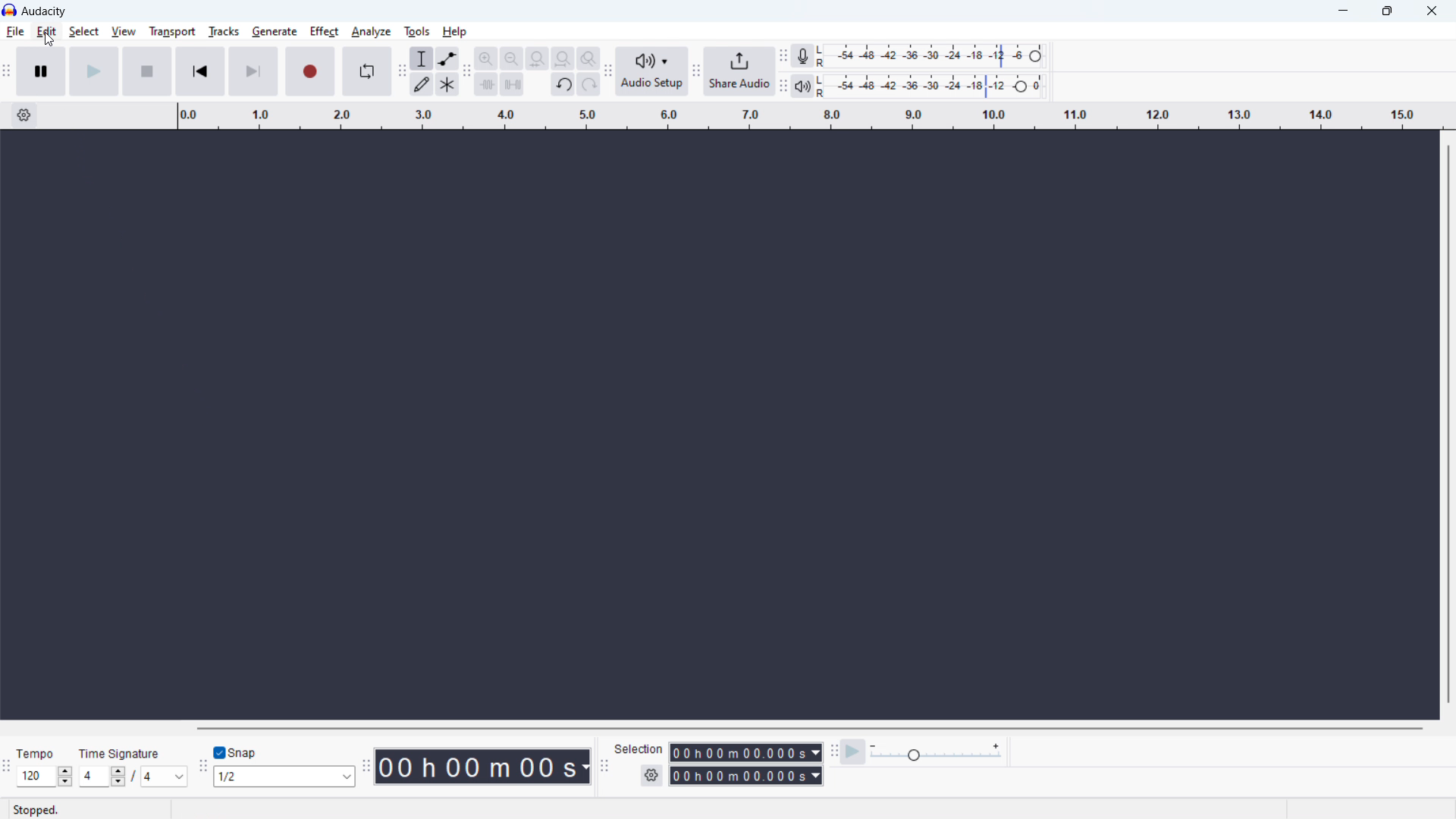  Describe the element at coordinates (563, 58) in the screenshot. I see `fit project to width` at that location.